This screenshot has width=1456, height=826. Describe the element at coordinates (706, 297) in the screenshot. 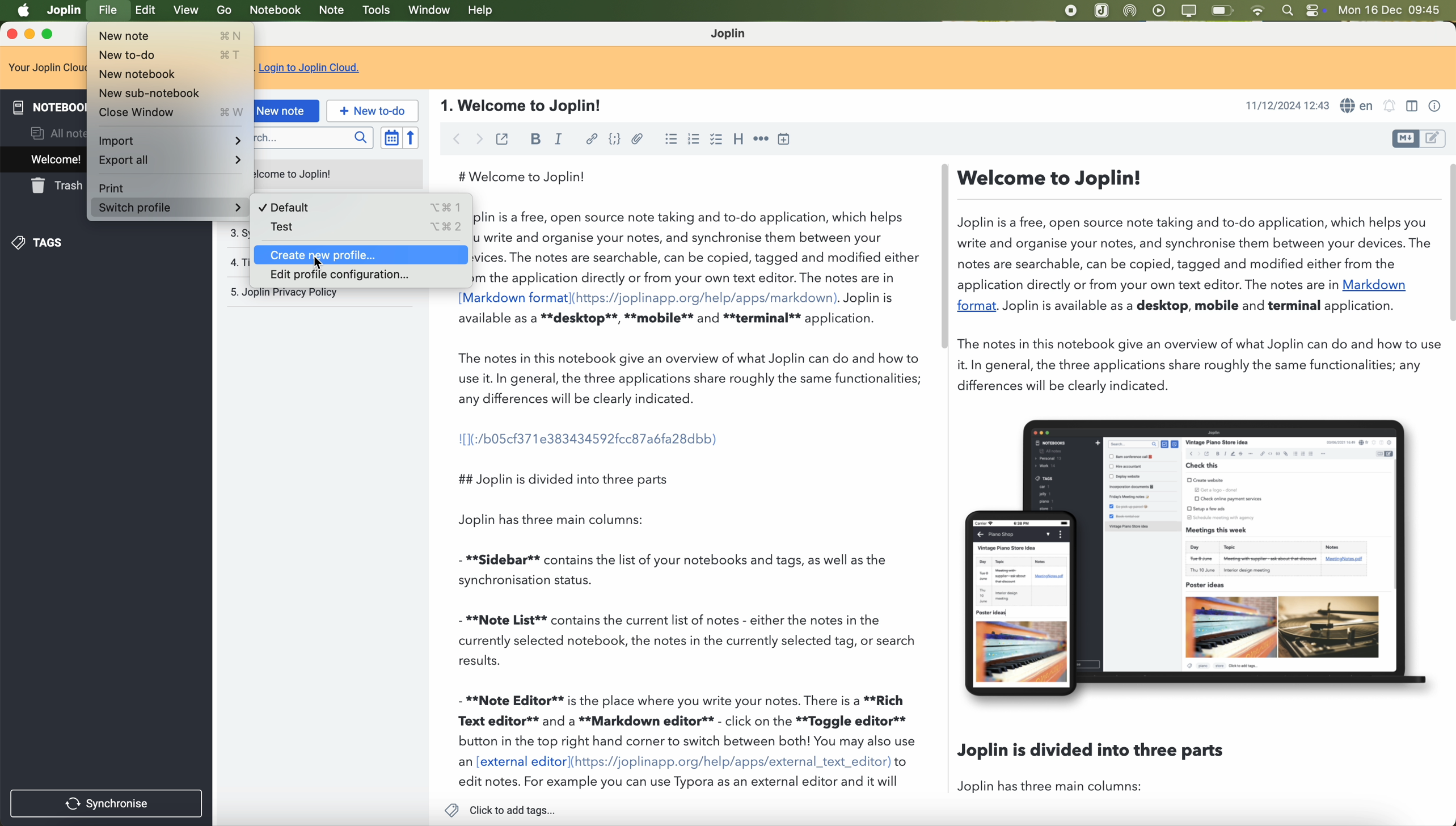

I see `(https://joplinapp.org/help/apps/markdown)` at that location.